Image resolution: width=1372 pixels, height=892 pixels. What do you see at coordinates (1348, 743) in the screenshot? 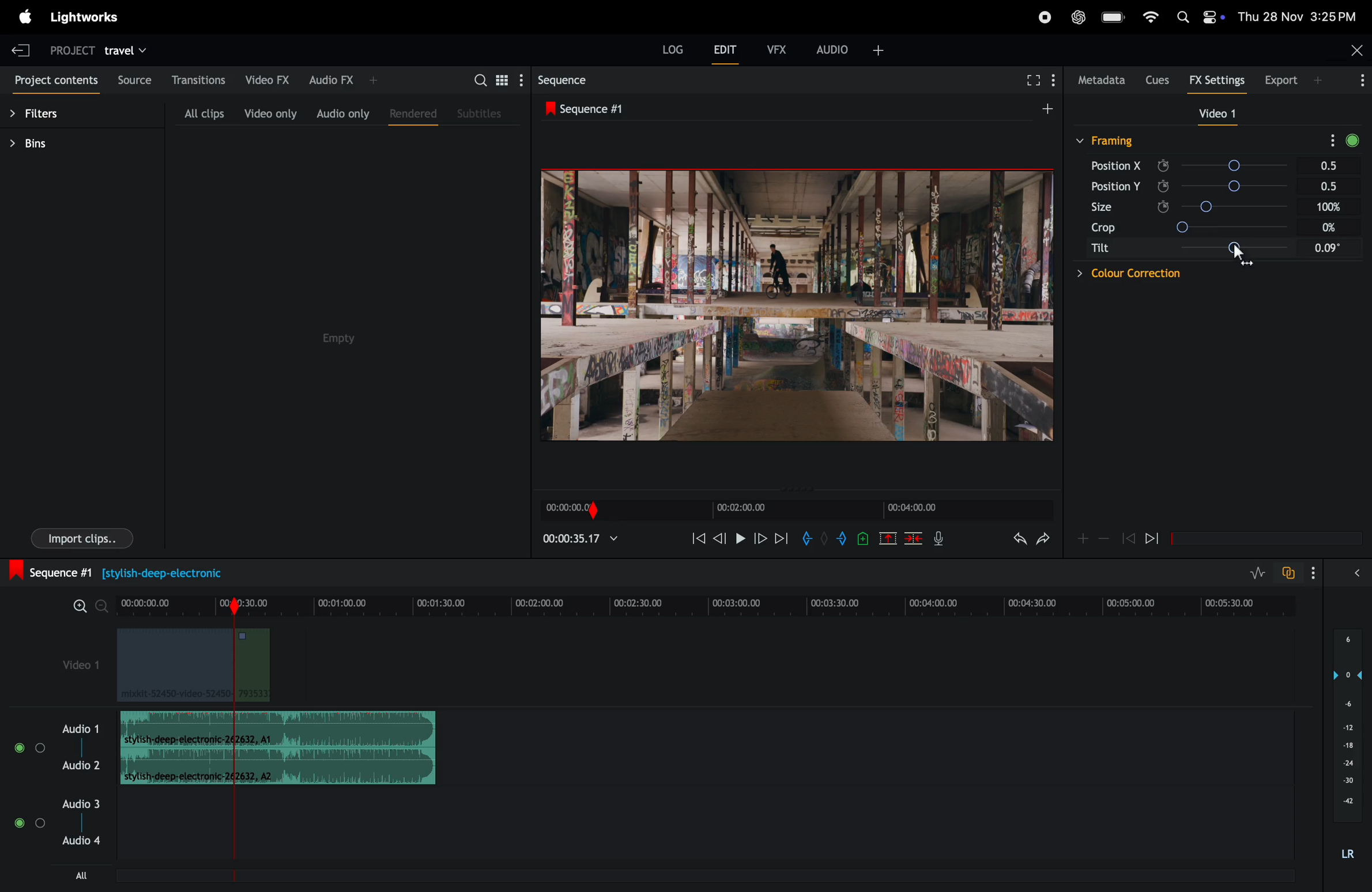
I see `audio level` at bounding box center [1348, 743].